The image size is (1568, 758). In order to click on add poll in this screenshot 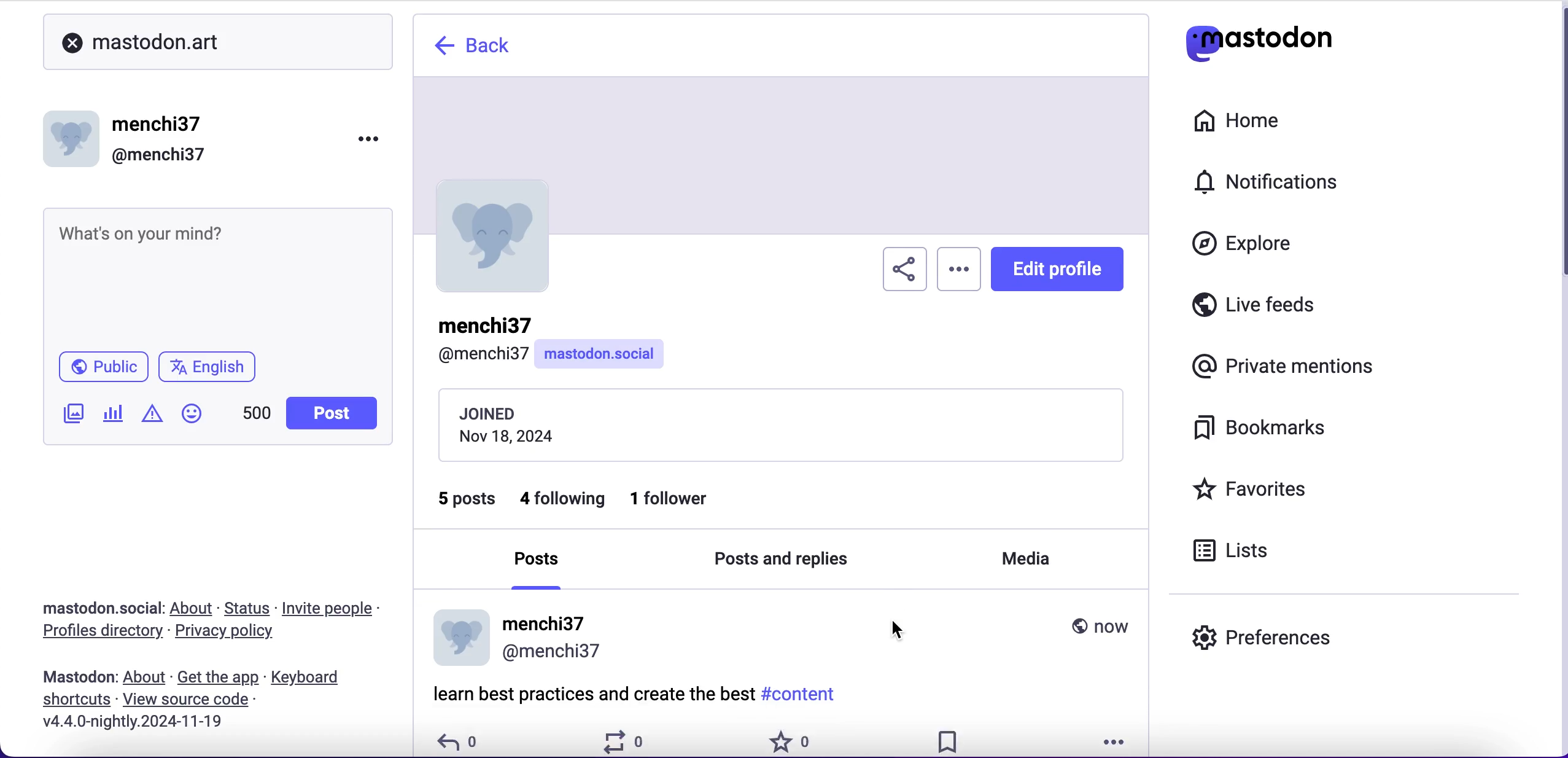, I will do `click(114, 415)`.